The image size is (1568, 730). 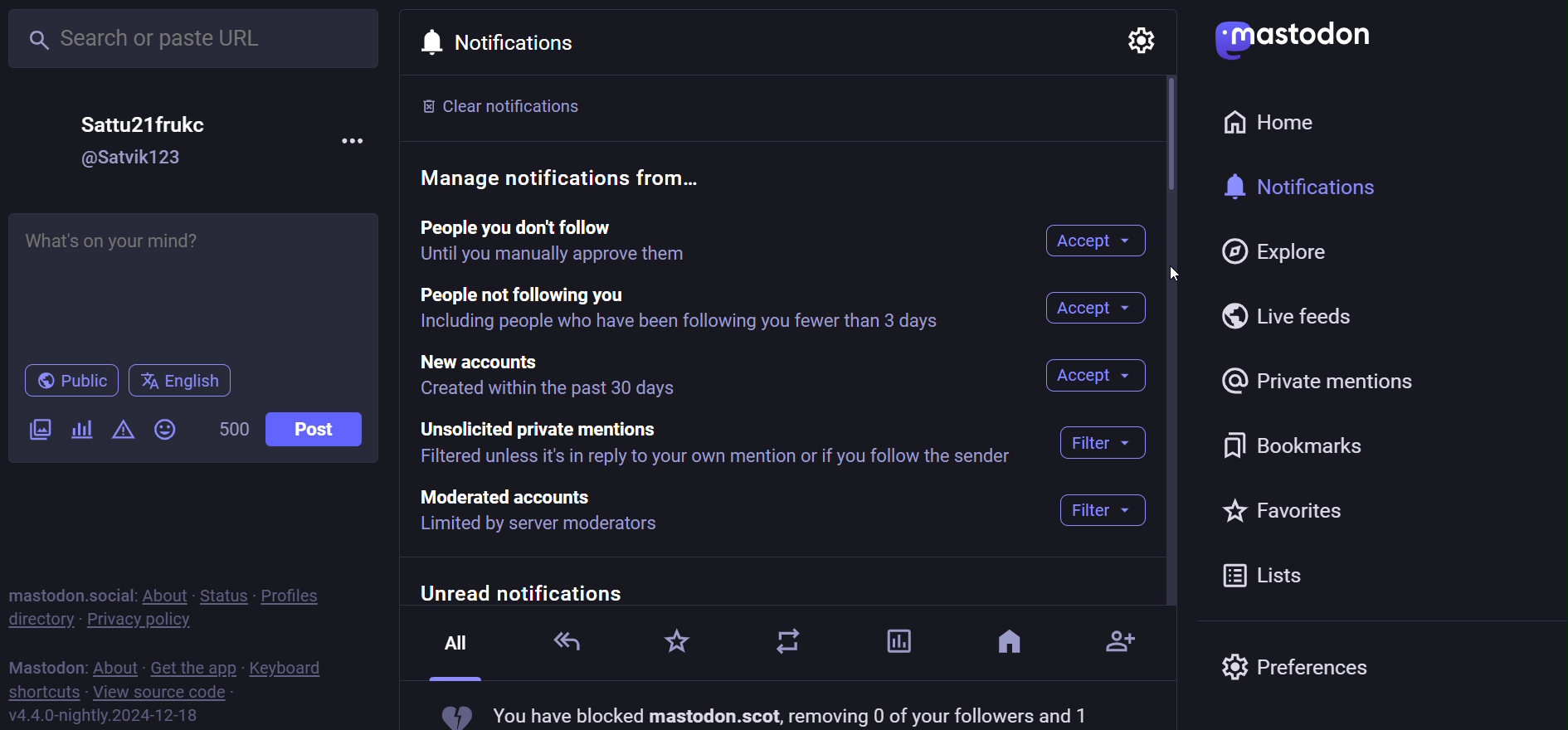 What do you see at coordinates (1103, 480) in the screenshot?
I see `filter ` at bounding box center [1103, 480].